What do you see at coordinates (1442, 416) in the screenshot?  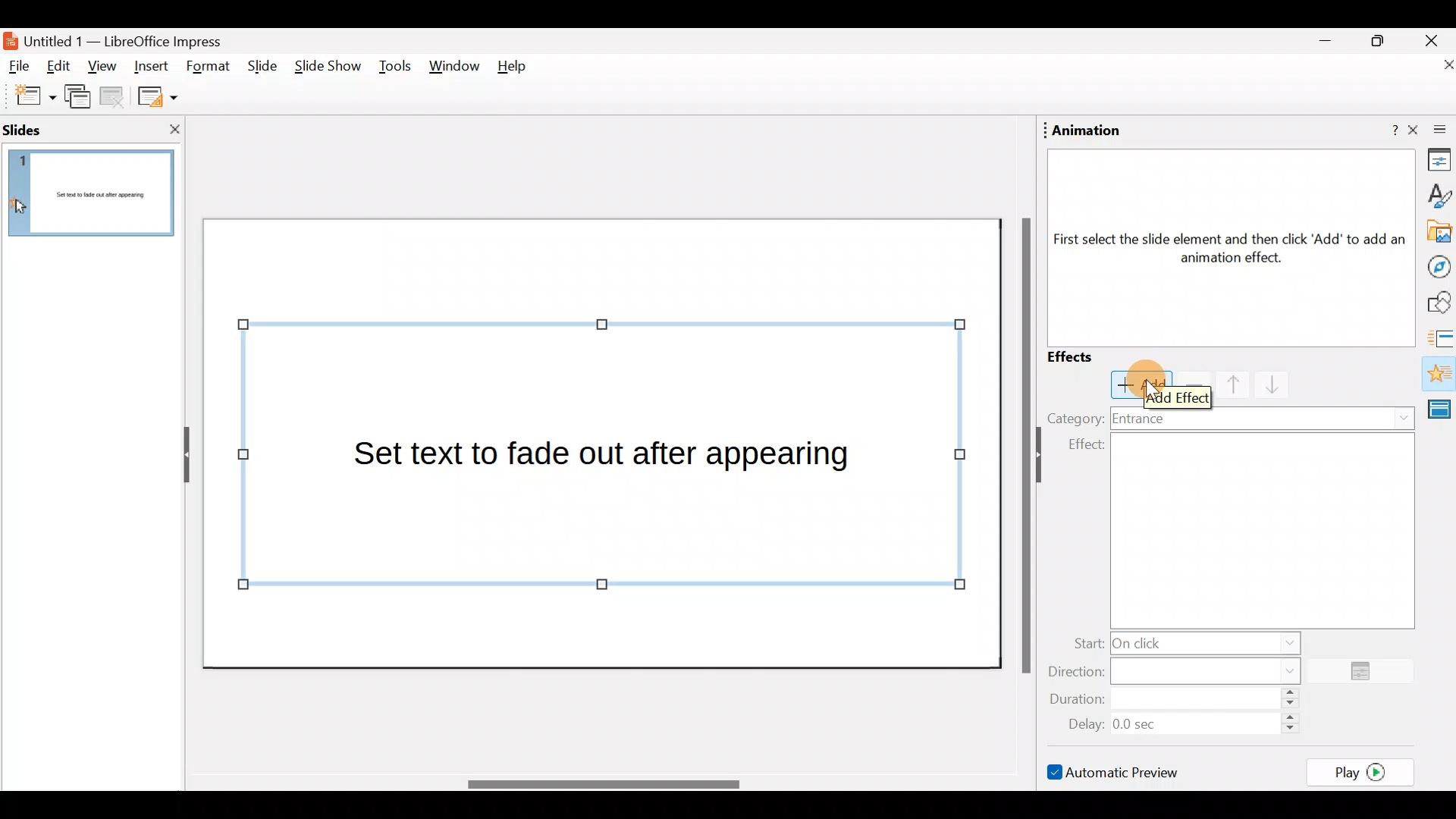 I see `Master slides` at bounding box center [1442, 416].